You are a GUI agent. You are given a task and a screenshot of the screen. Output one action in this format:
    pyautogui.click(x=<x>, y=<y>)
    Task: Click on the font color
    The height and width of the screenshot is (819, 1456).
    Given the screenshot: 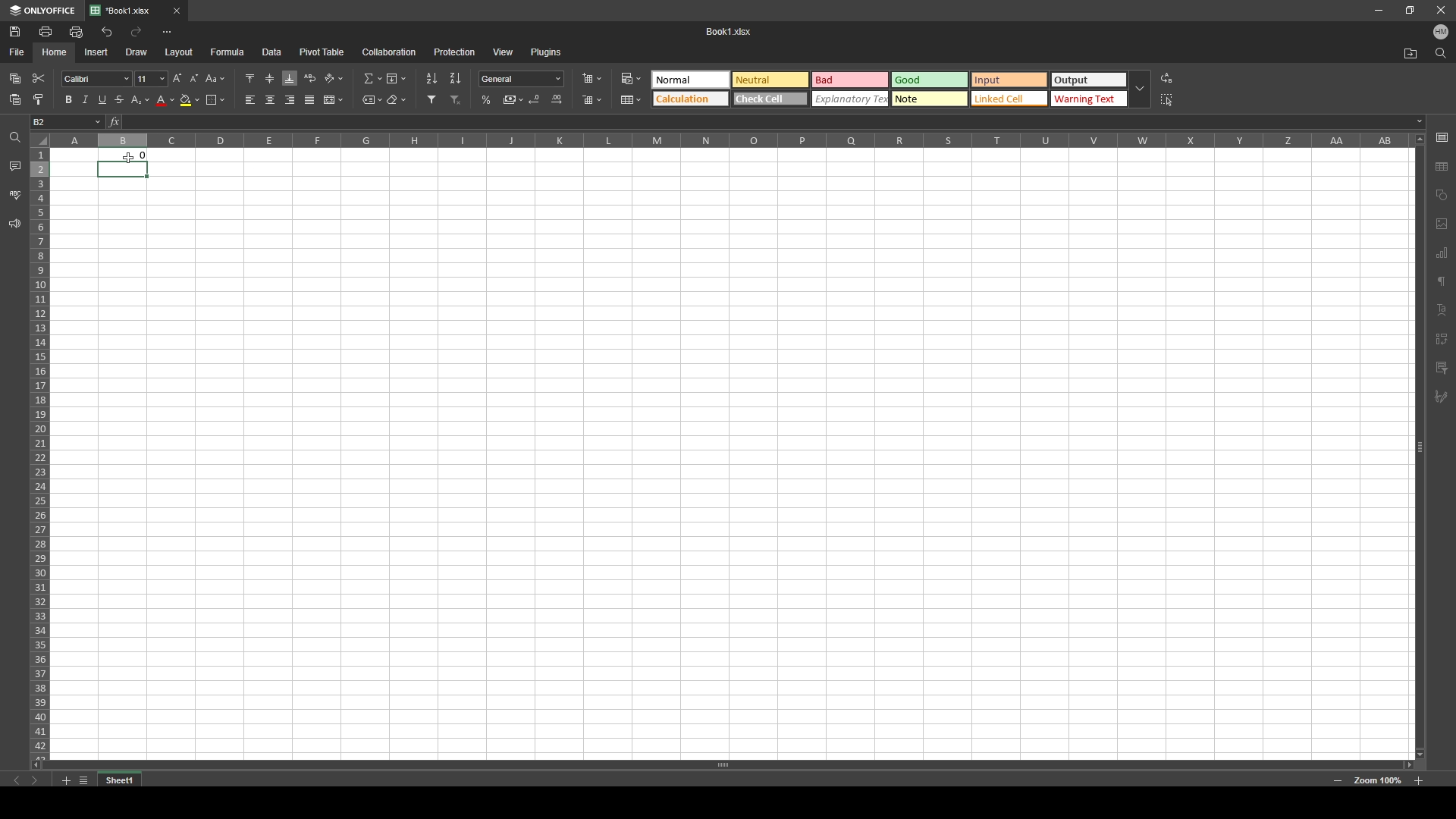 What is the action you would take?
    pyautogui.click(x=165, y=101)
    